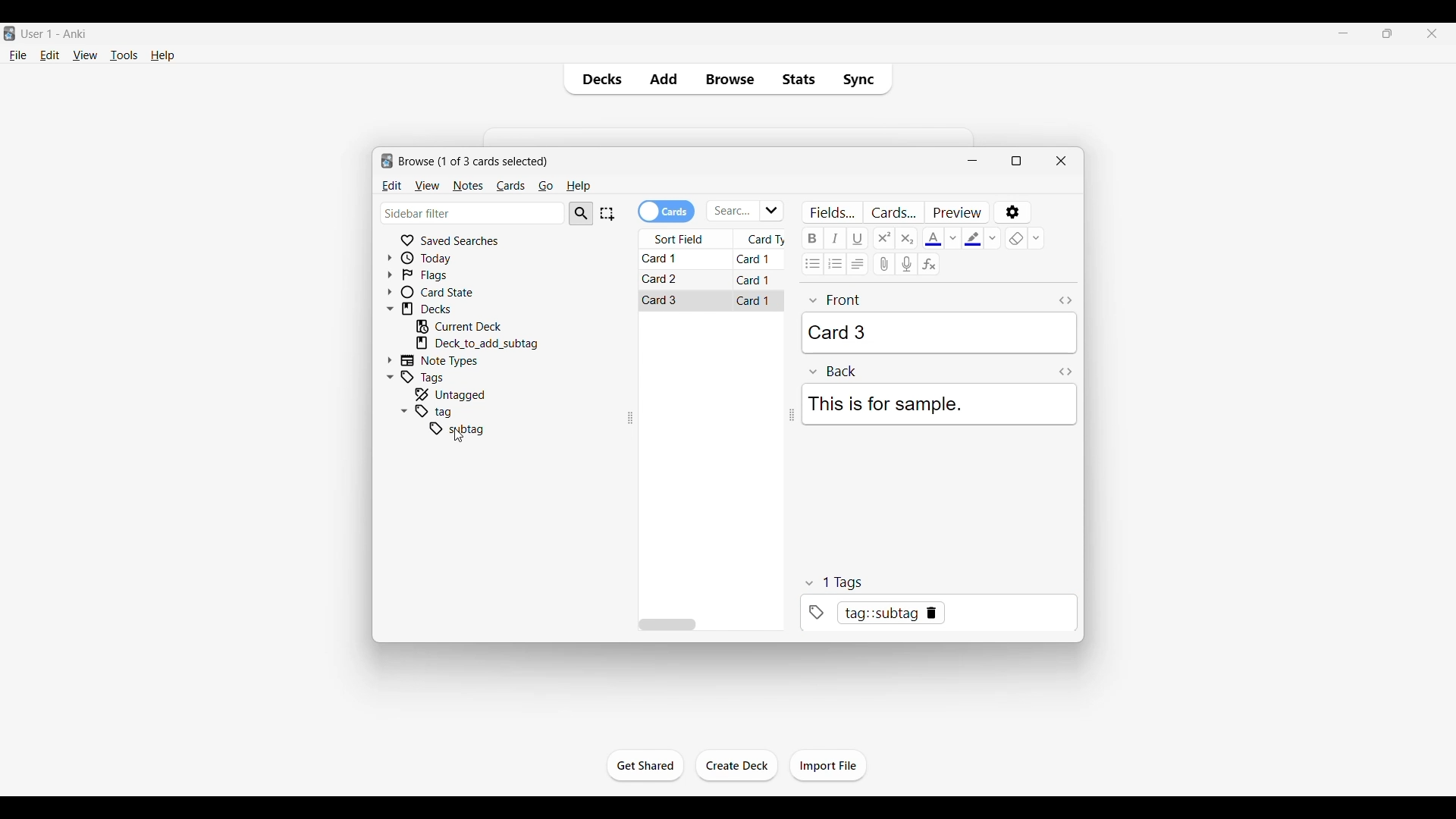 The width and height of the screenshot is (1456, 819). I want to click on Click to go to Today, so click(449, 258).